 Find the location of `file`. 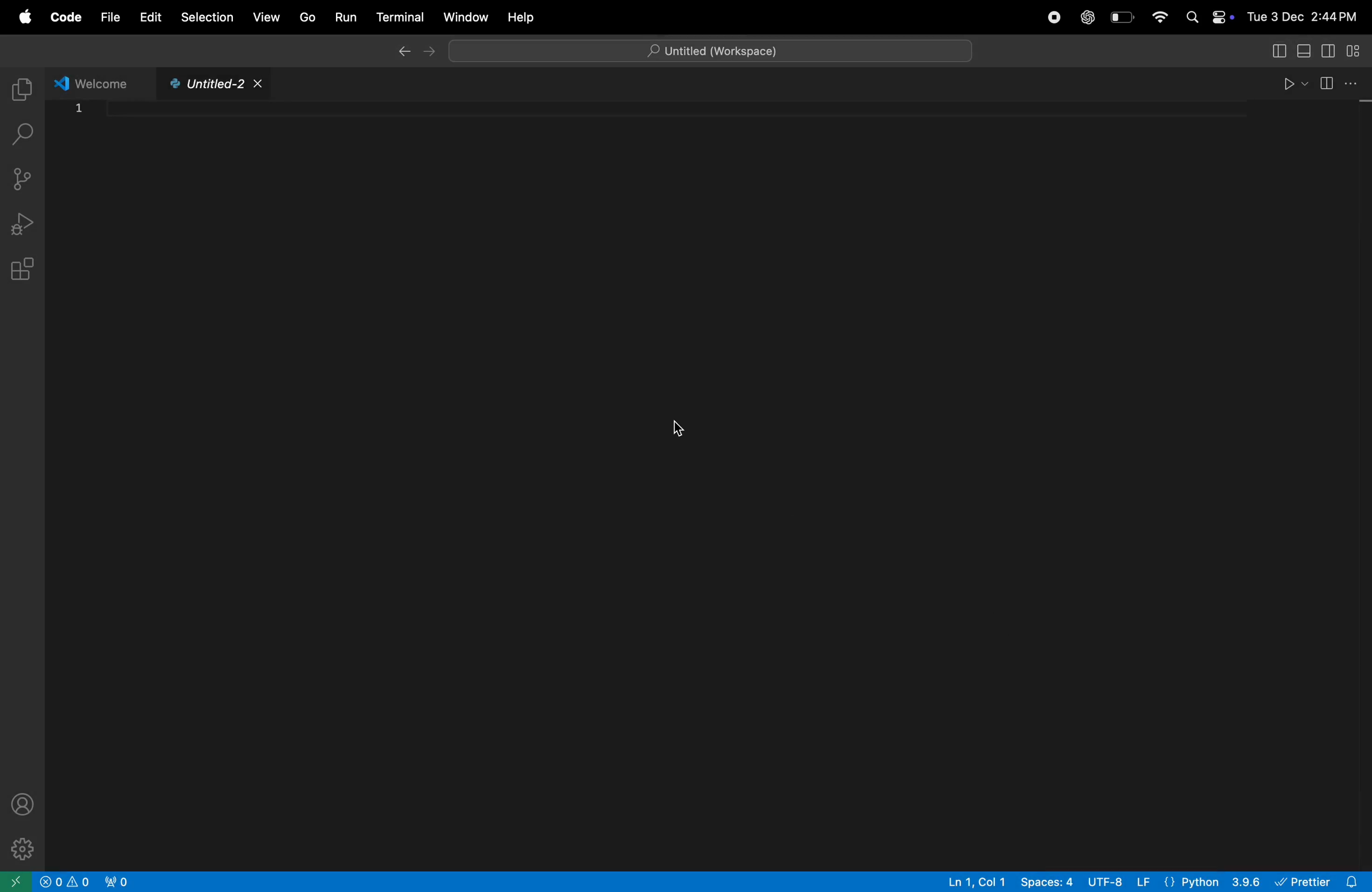

file is located at coordinates (109, 20).